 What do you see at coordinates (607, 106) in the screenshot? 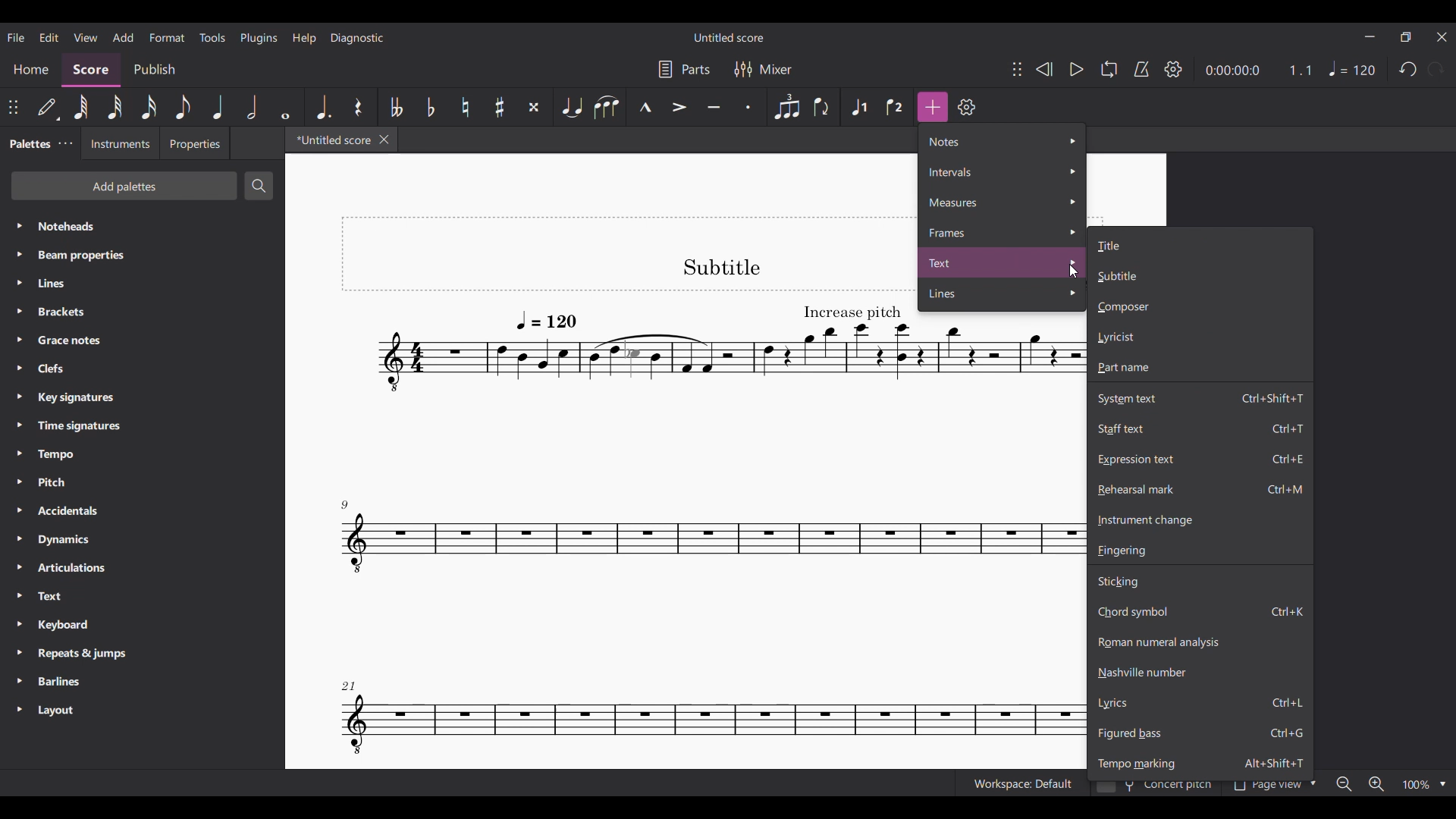
I see `Slur` at bounding box center [607, 106].